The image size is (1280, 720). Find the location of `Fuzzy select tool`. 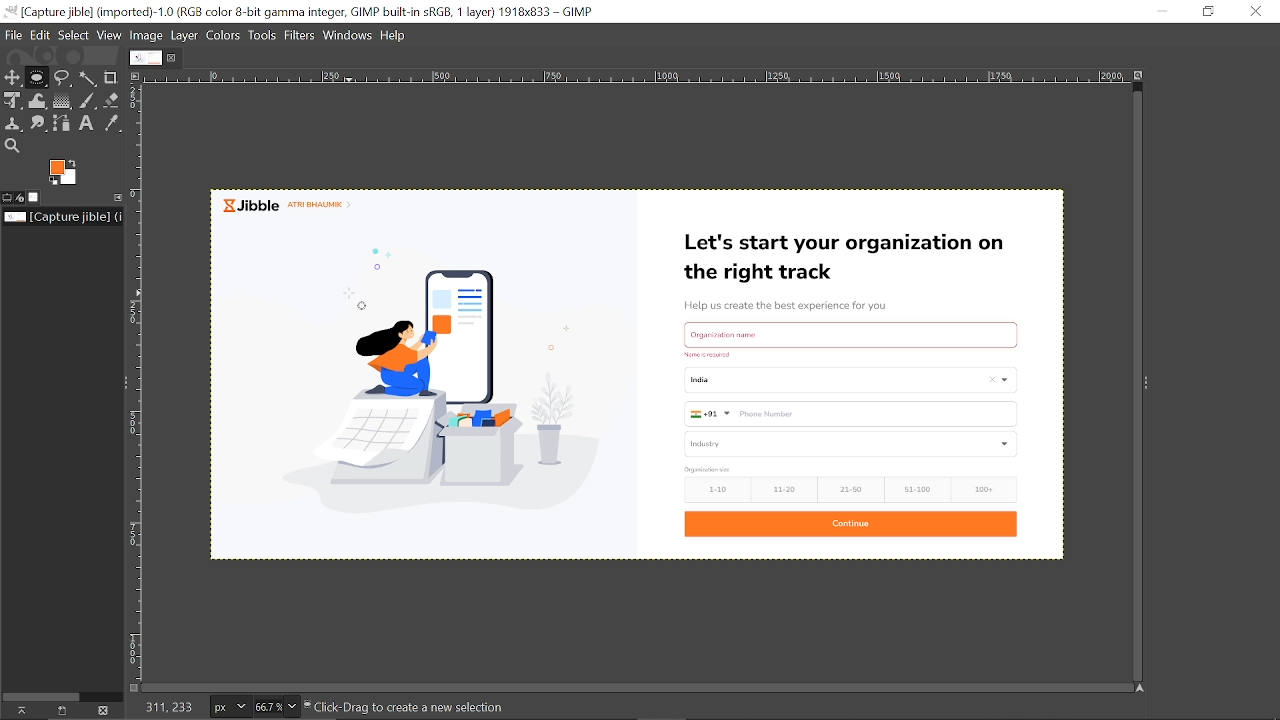

Fuzzy select tool is located at coordinates (91, 78).